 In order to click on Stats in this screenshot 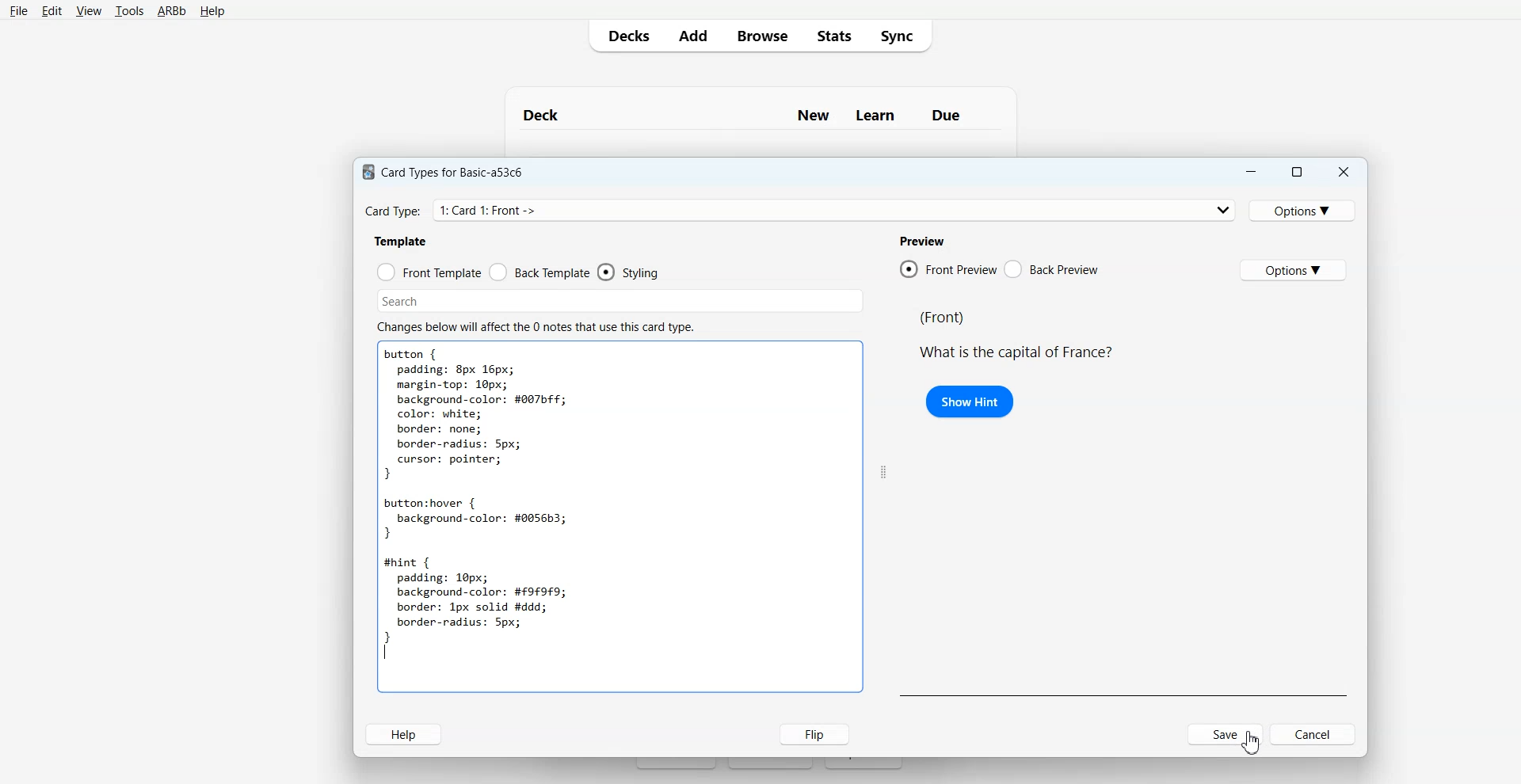, I will do `click(833, 35)`.